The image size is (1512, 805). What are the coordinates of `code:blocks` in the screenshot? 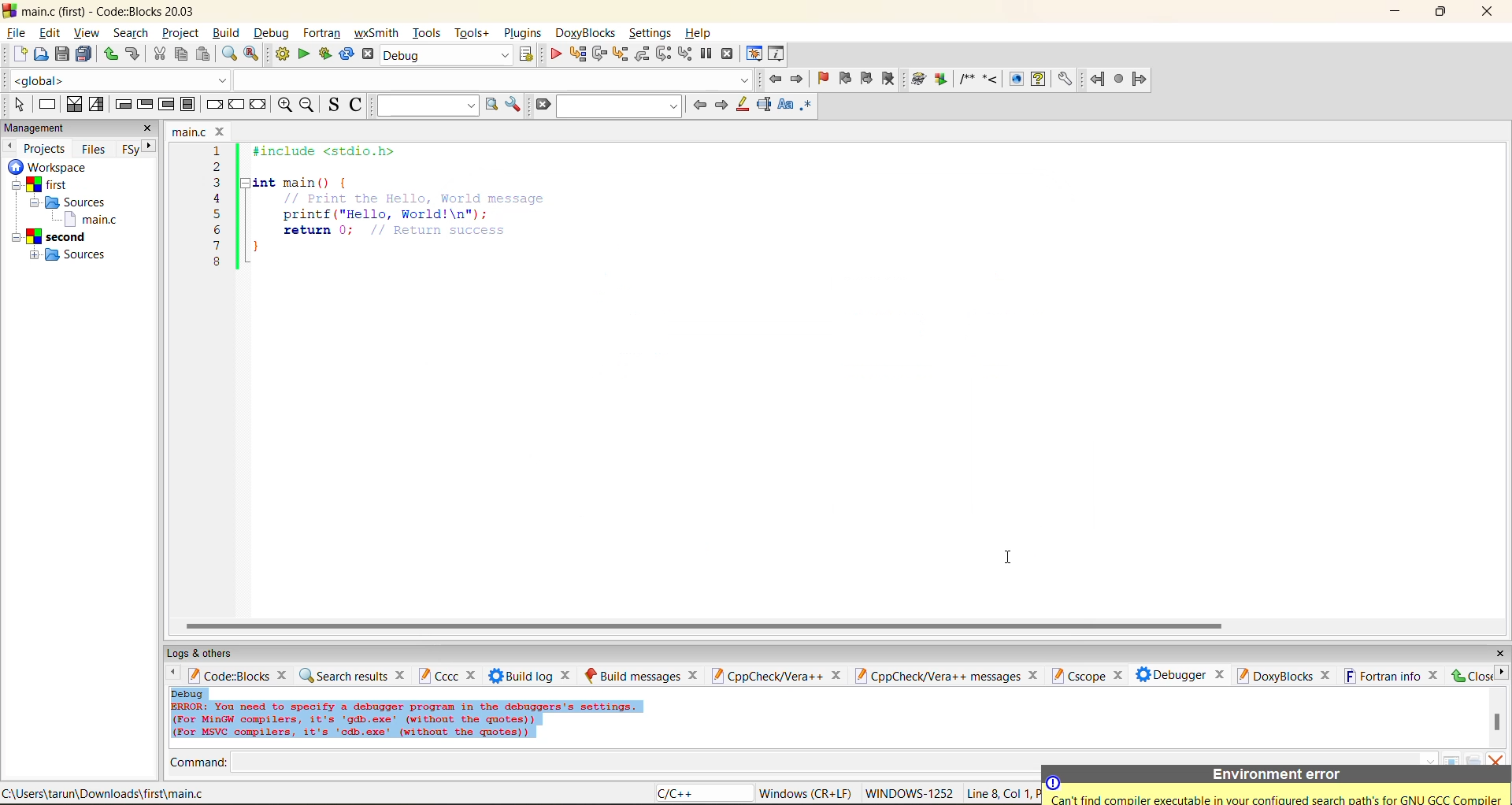 It's located at (228, 675).